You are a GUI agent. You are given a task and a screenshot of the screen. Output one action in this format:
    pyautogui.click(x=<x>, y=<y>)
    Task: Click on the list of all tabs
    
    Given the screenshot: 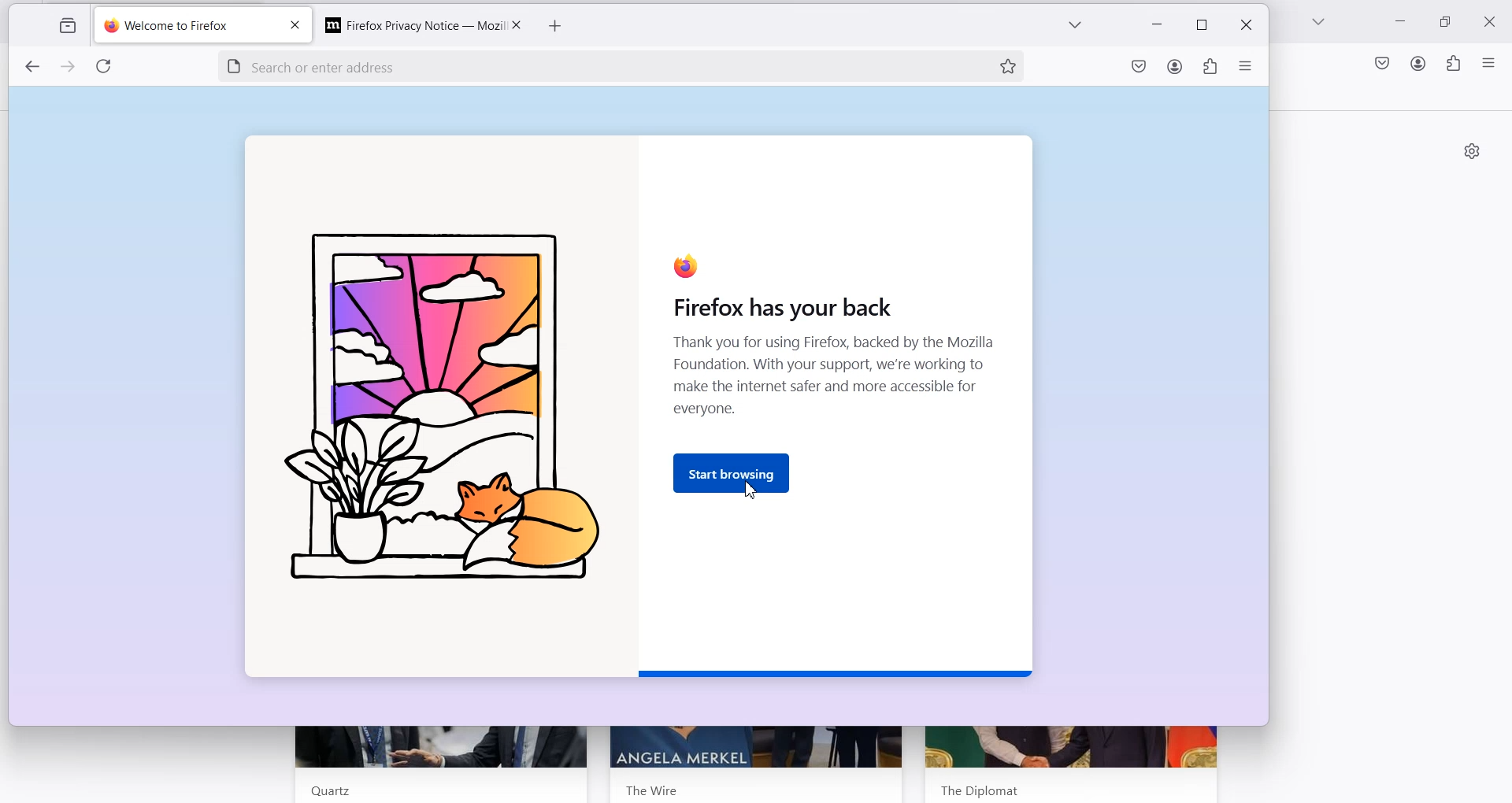 What is the action you would take?
    pyautogui.click(x=1073, y=28)
    